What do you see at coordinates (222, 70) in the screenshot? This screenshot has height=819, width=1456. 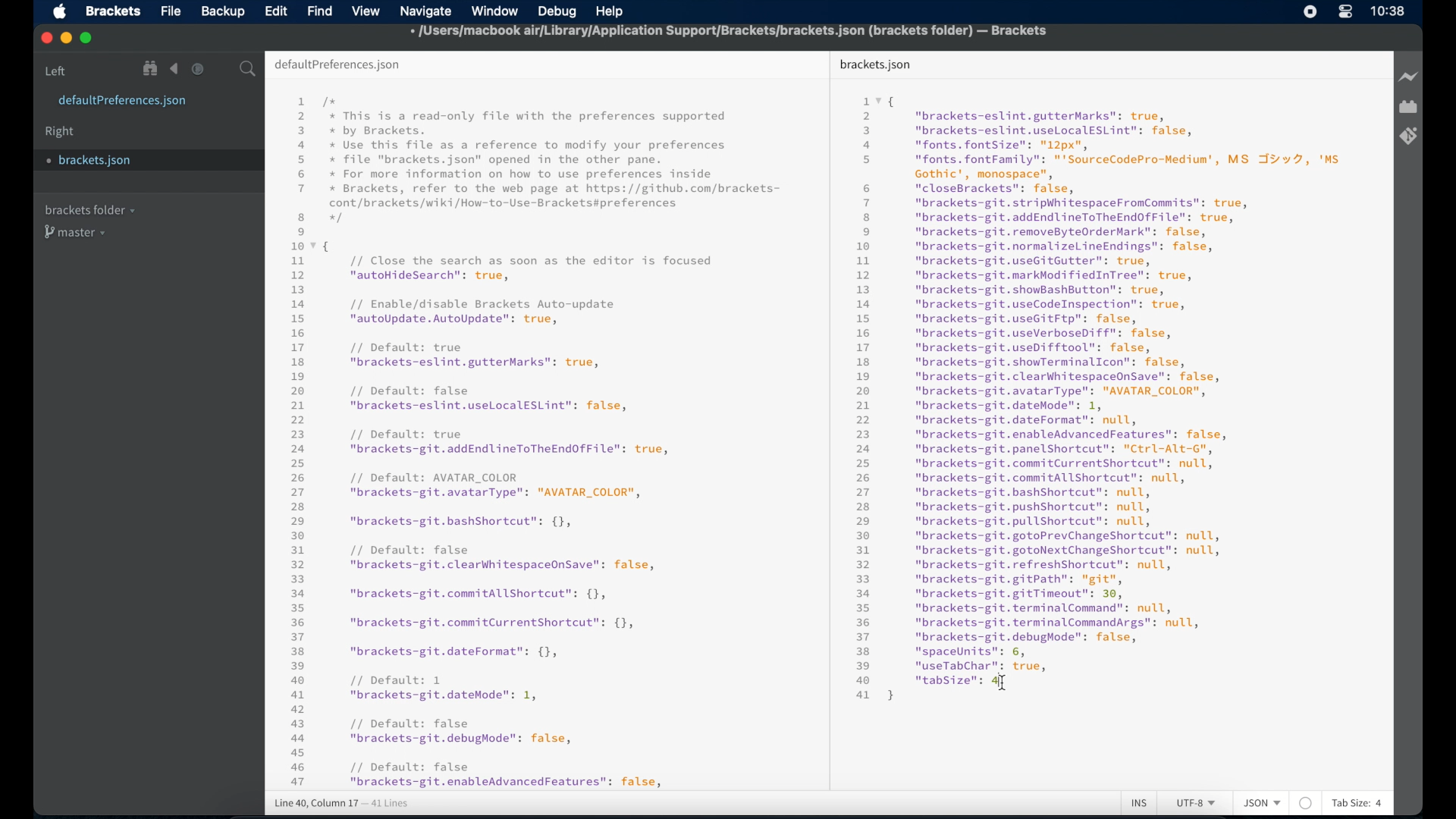 I see `split the editor vertical or horizontal` at bounding box center [222, 70].